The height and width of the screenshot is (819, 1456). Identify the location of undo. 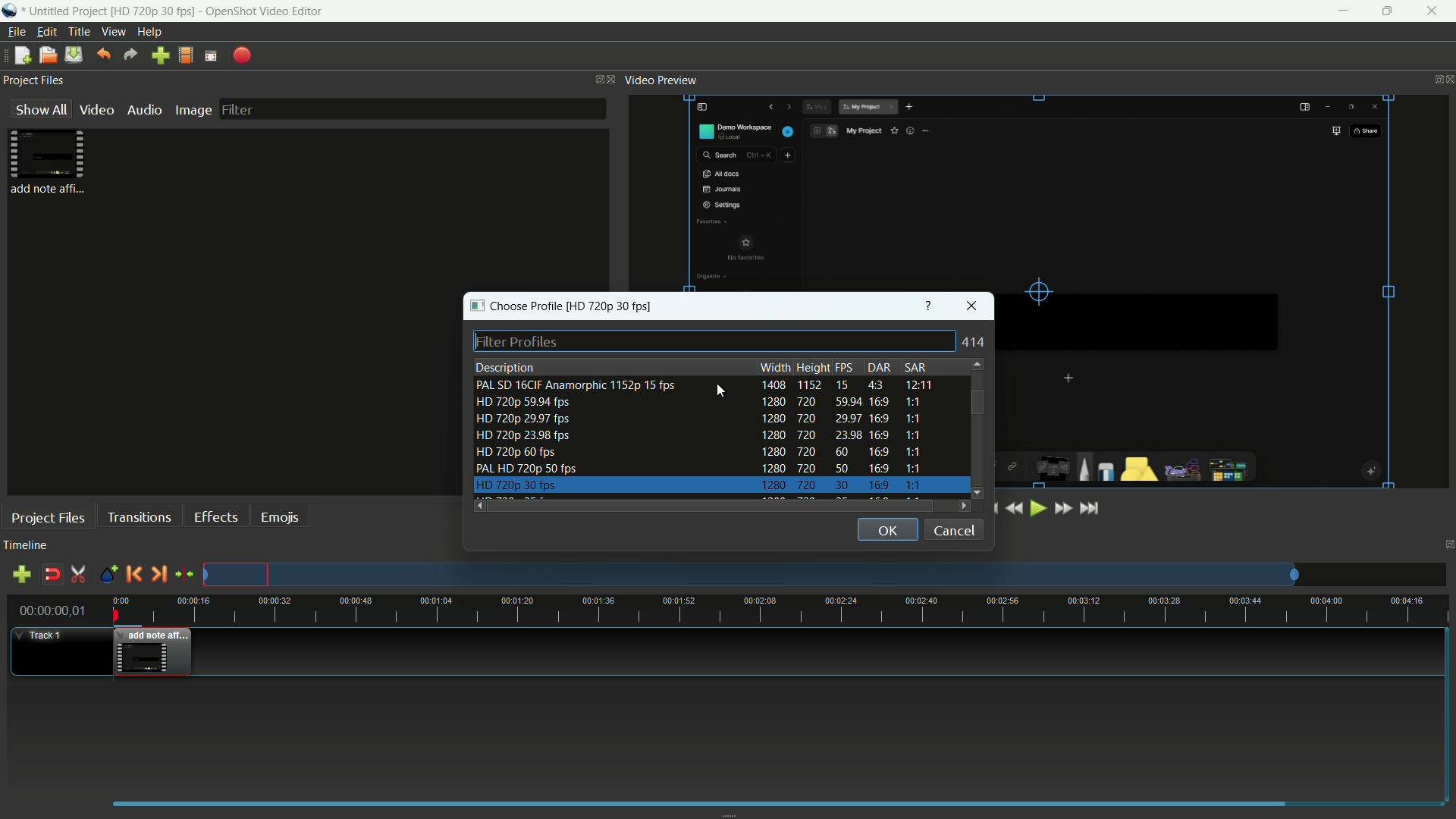
(104, 55).